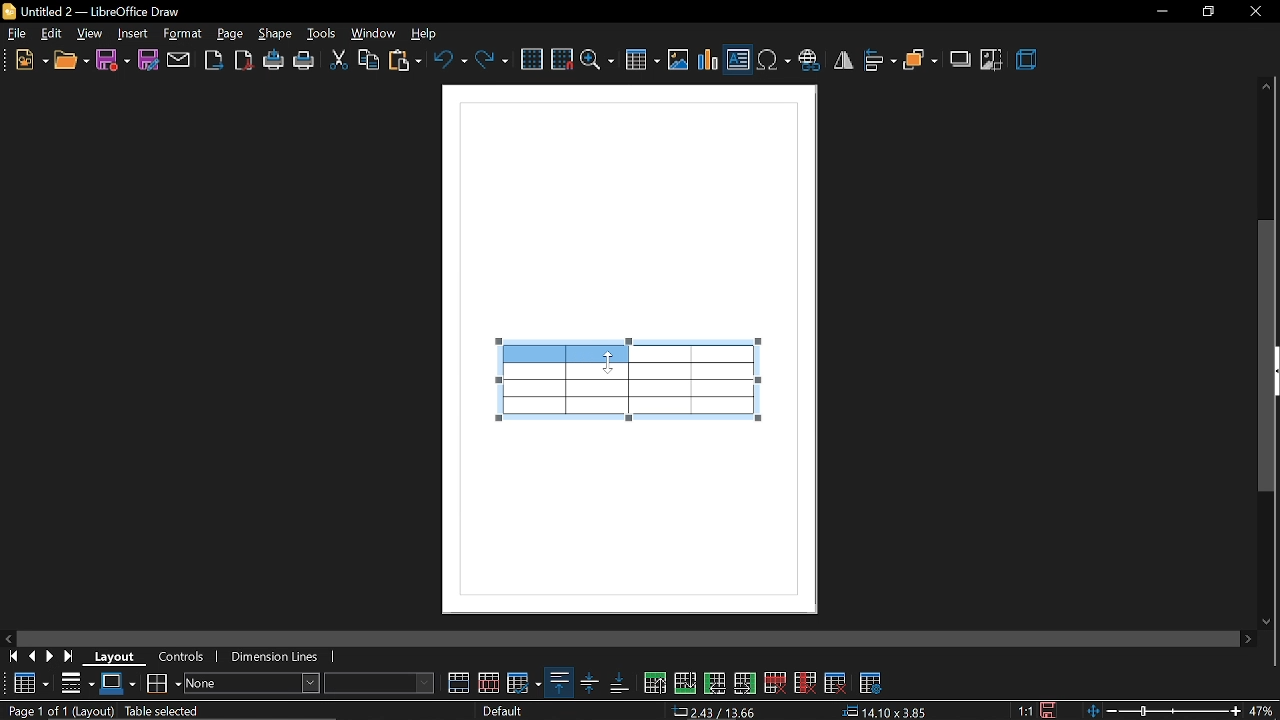 The width and height of the screenshot is (1280, 720). Describe the element at coordinates (458, 683) in the screenshot. I see `merge cells` at that location.